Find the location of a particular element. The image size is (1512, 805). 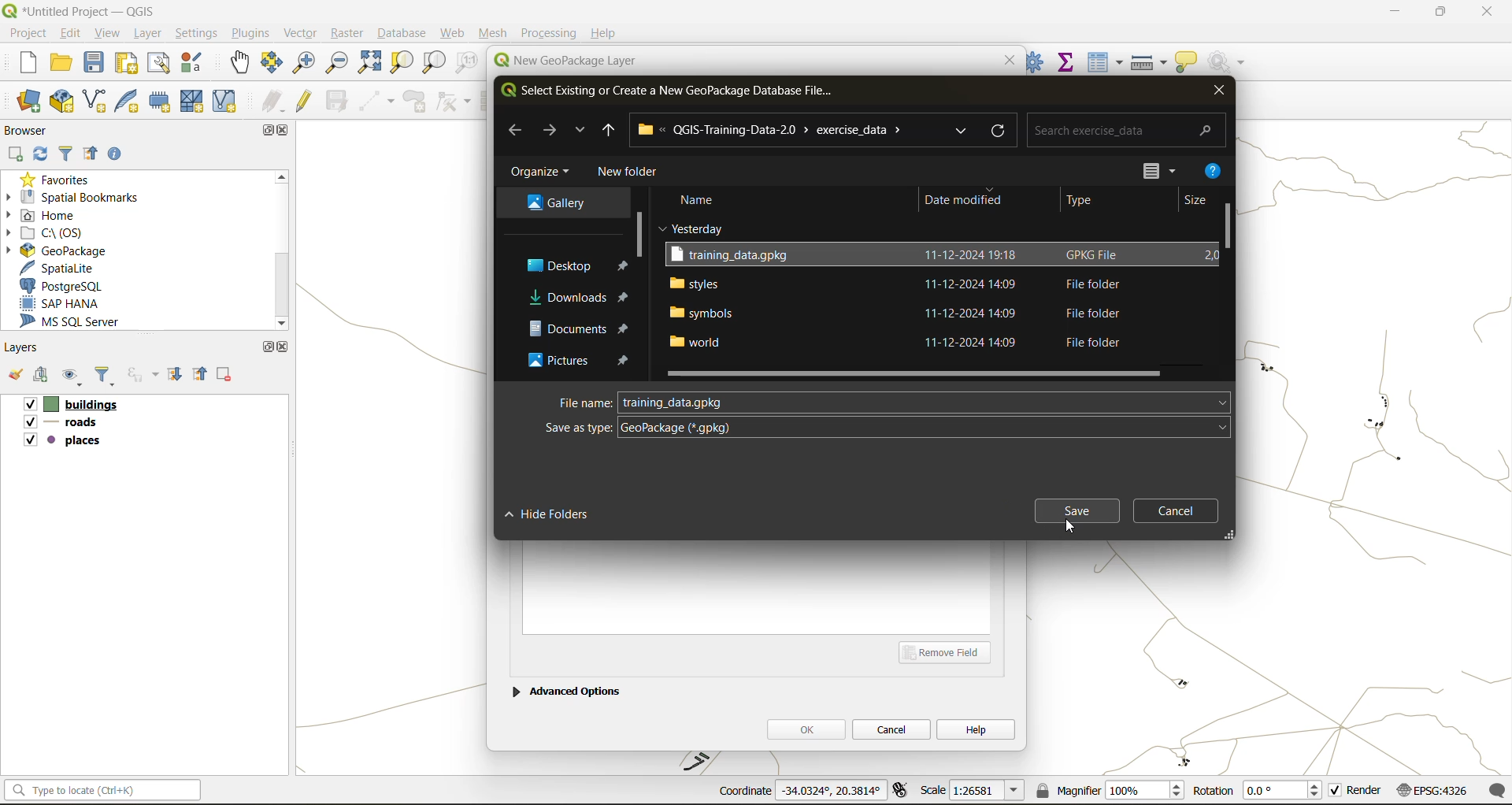

statistical summary is located at coordinates (1067, 61).